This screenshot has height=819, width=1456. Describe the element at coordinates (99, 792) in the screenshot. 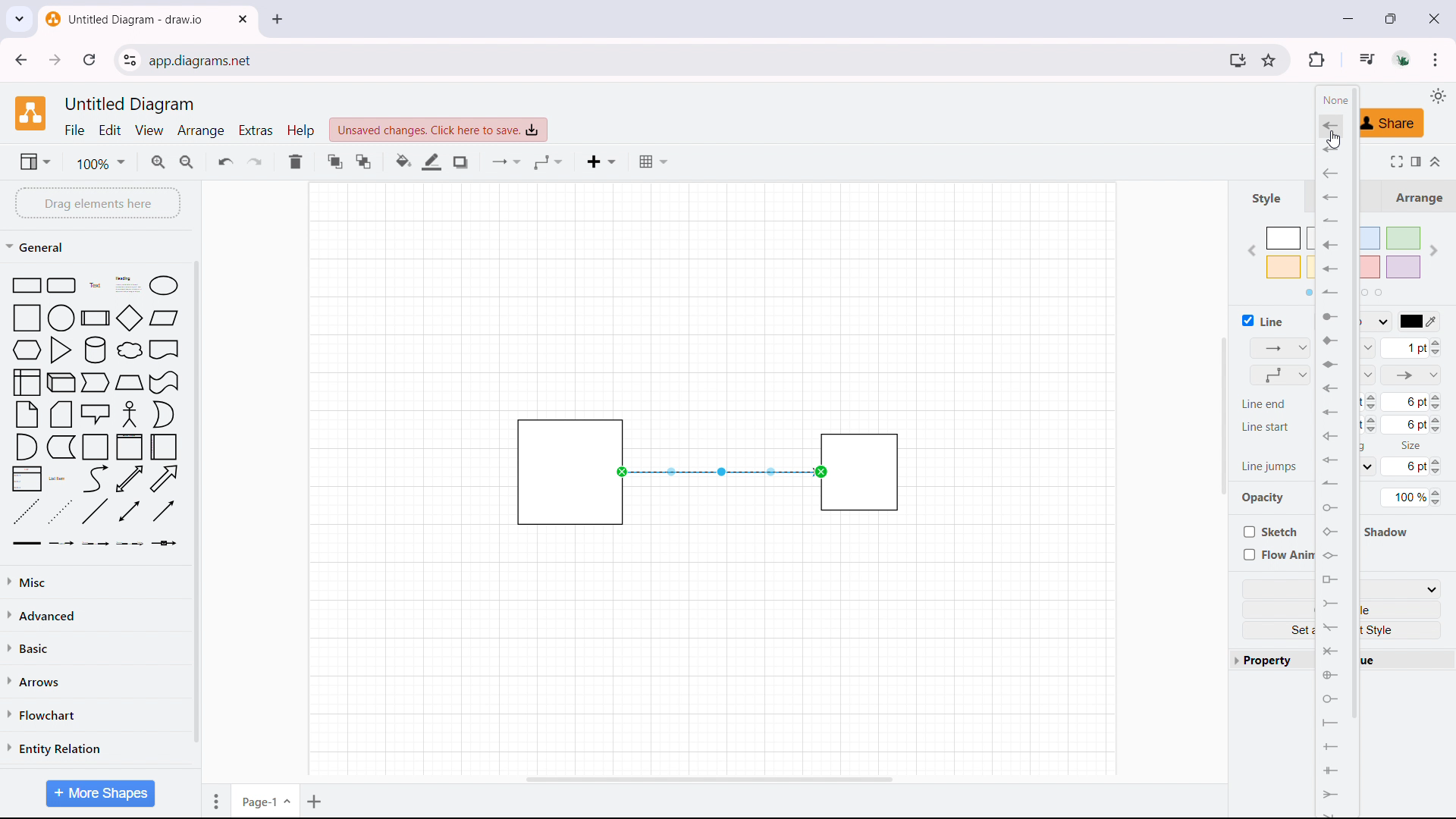

I see `More Shapes ` at that location.